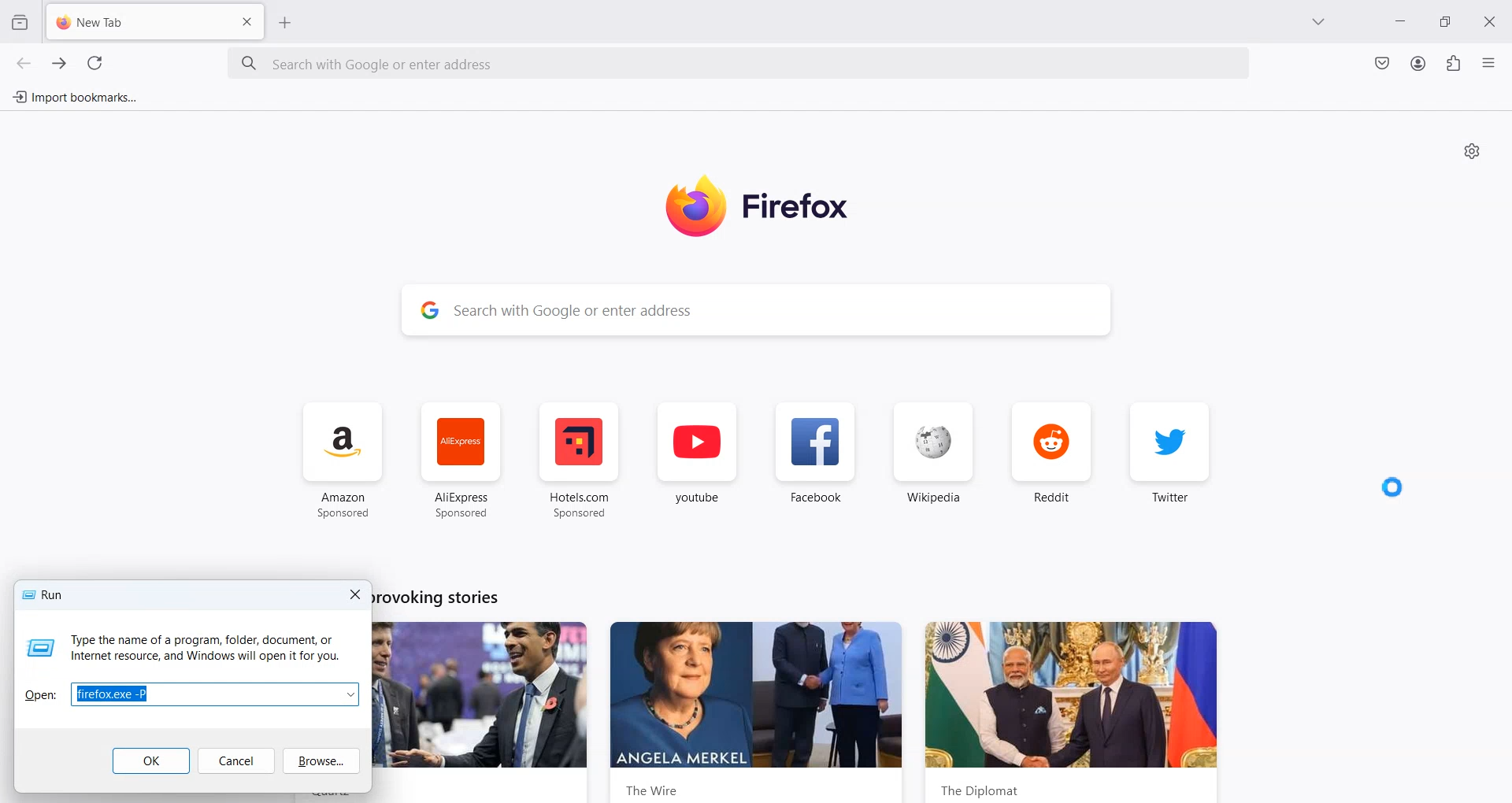 This screenshot has width=1512, height=803. I want to click on open file, so click(214, 694).